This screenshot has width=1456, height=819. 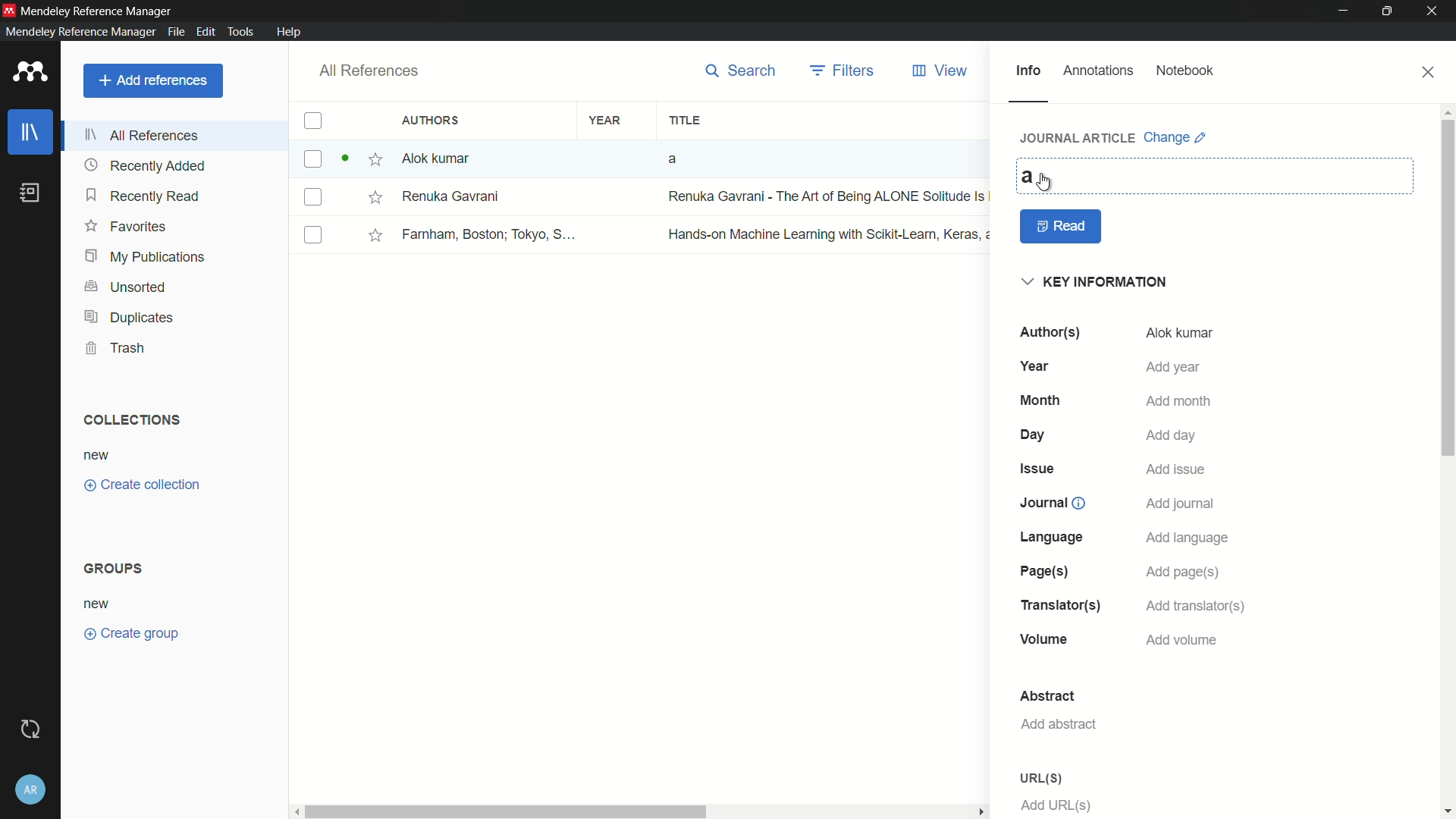 What do you see at coordinates (1046, 183) in the screenshot?
I see `cursor` at bounding box center [1046, 183].